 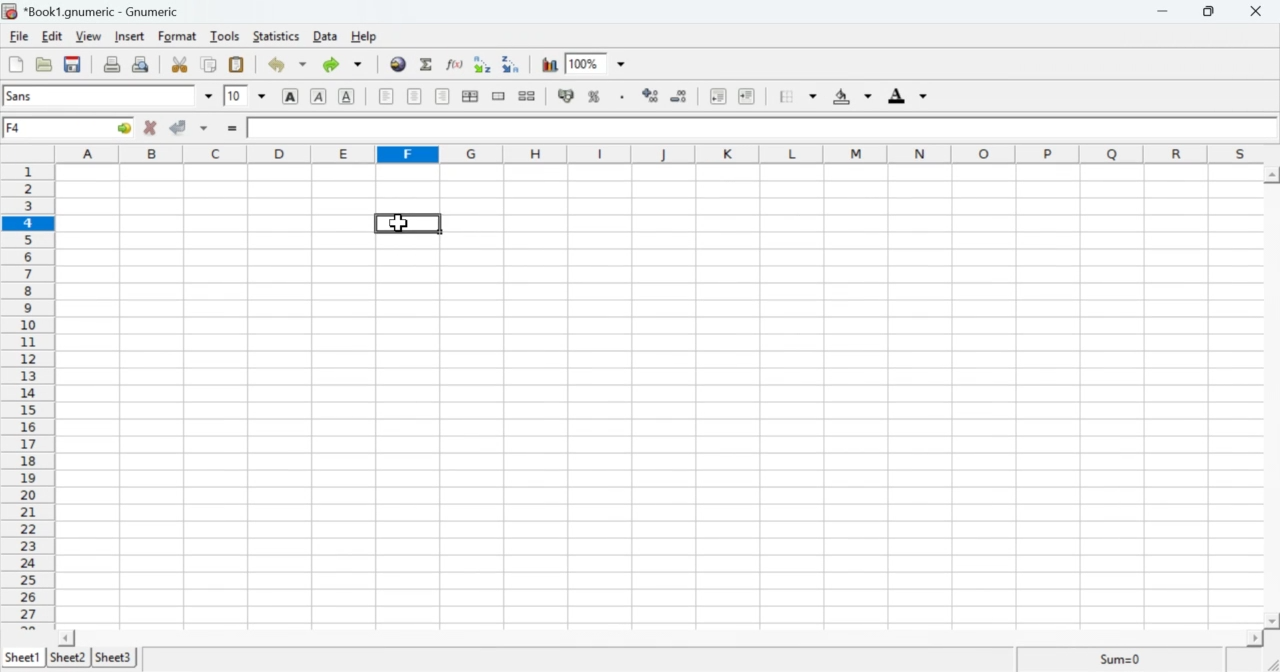 What do you see at coordinates (426, 63) in the screenshot?
I see `Sum` at bounding box center [426, 63].